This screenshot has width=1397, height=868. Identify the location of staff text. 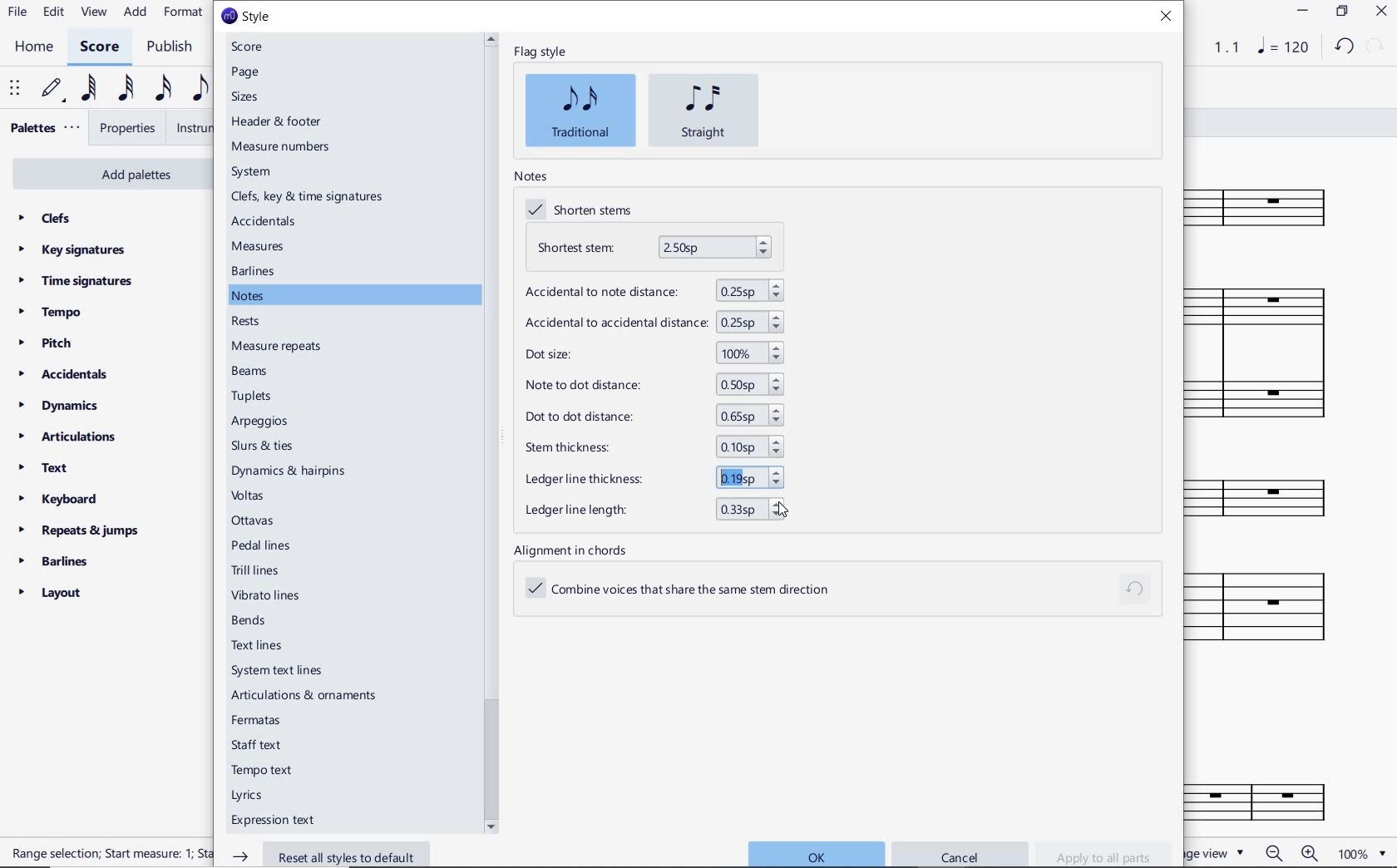
(259, 743).